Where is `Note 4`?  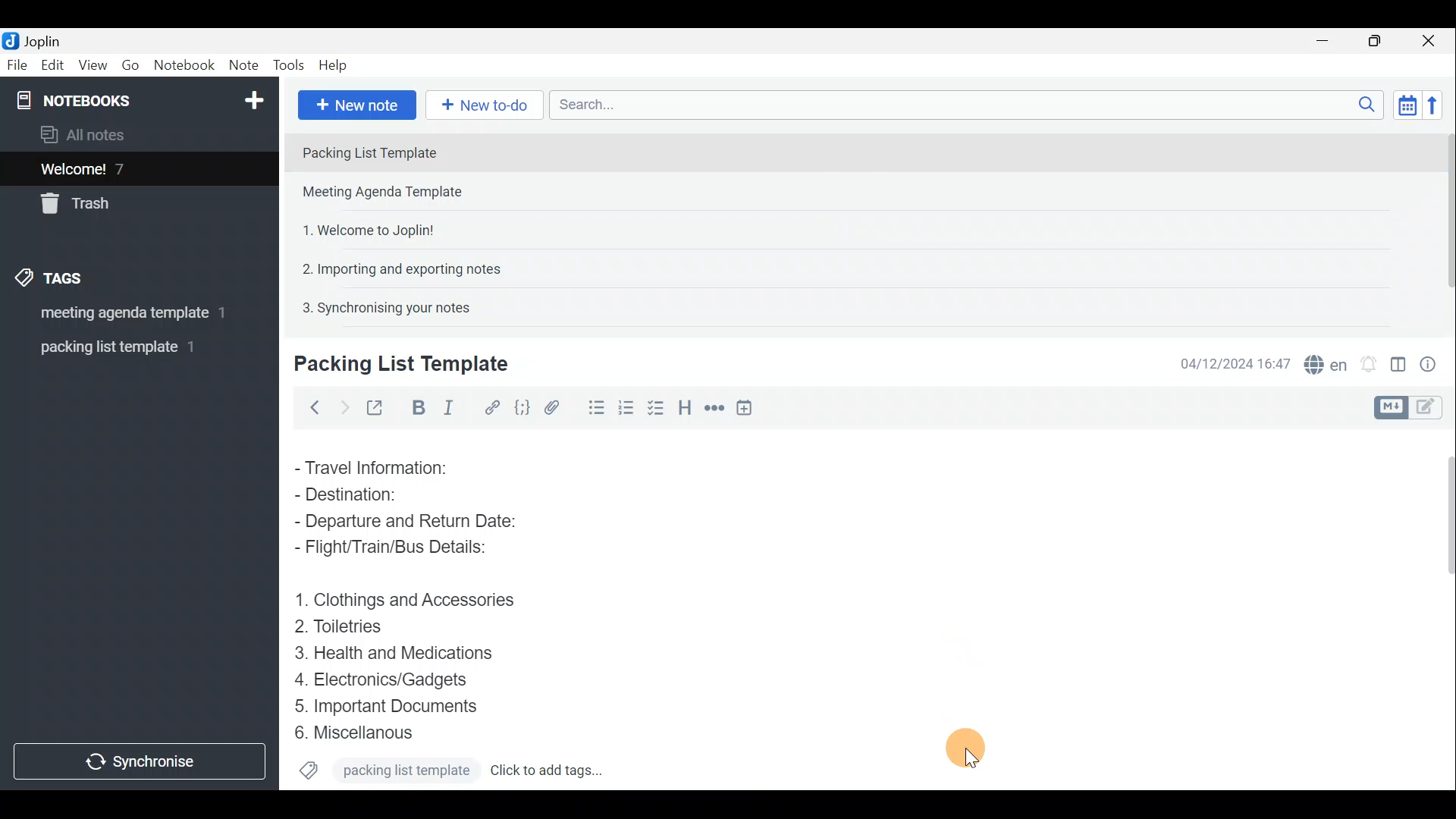 Note 4 is located at coordinates (394, 266).